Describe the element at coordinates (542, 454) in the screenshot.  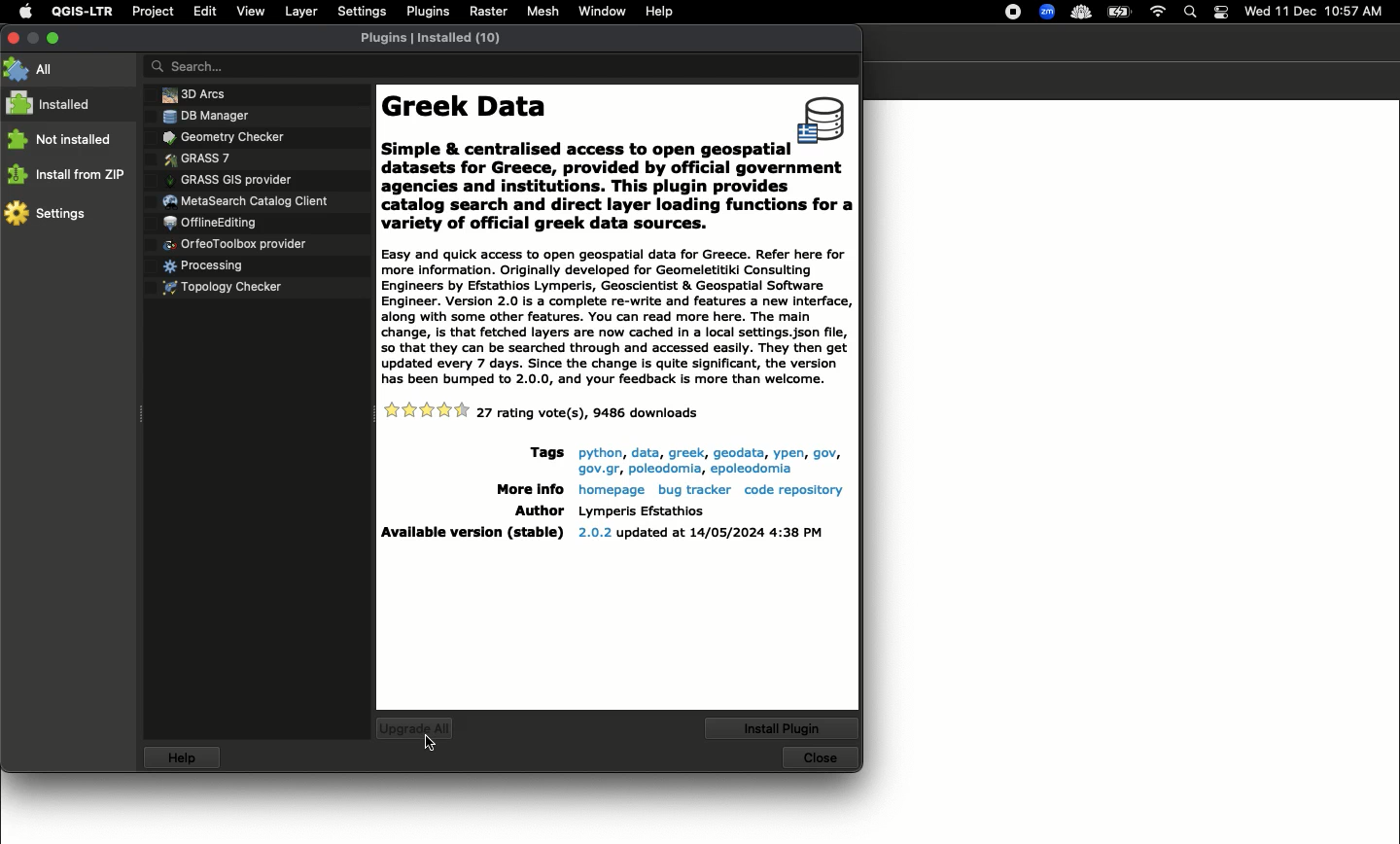
I see `Tags` at that location.